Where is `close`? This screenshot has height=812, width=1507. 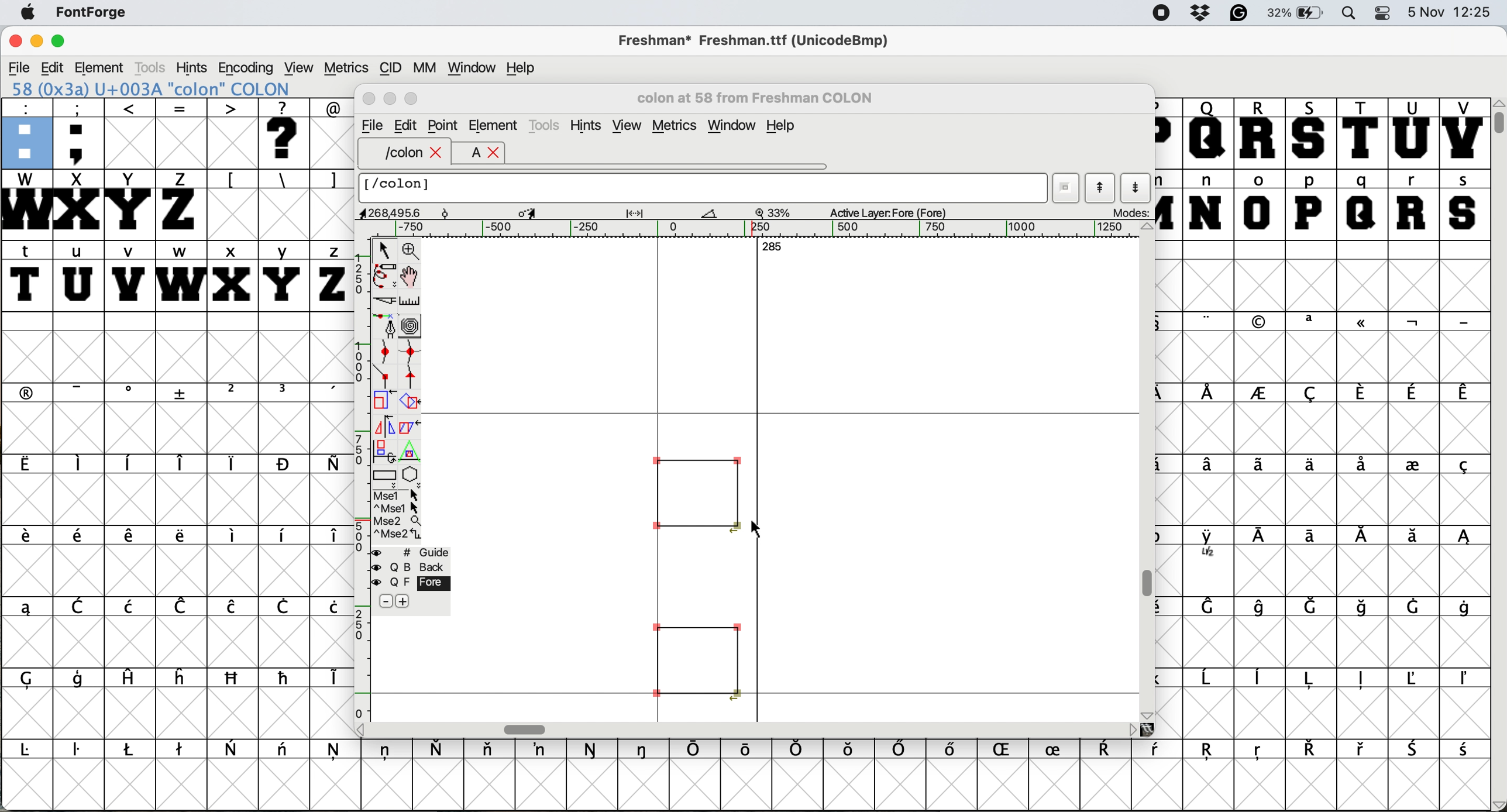 close is located at coordinates (367, 101).